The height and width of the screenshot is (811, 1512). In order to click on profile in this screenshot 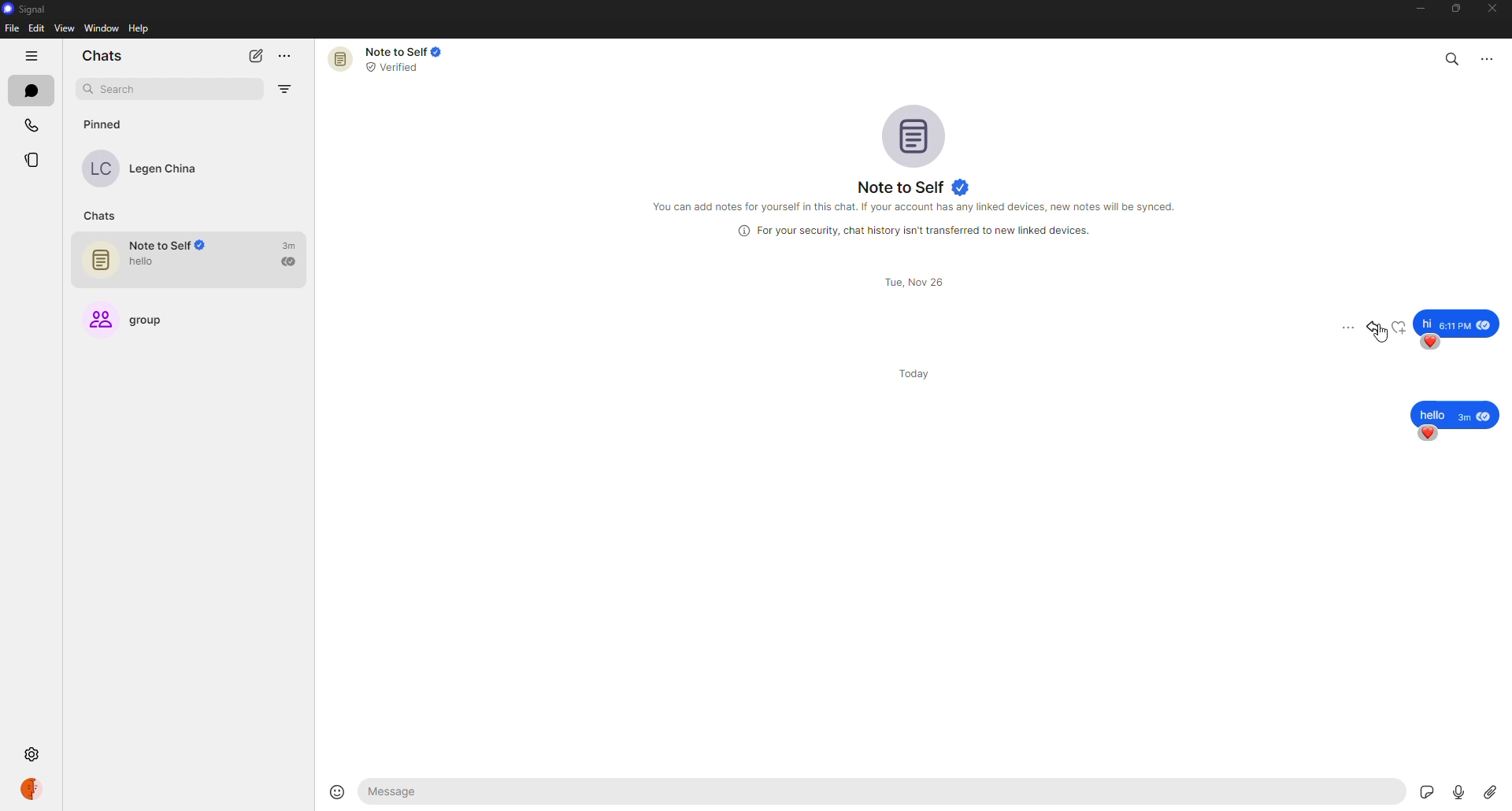, I will do `click(38, 788)`.